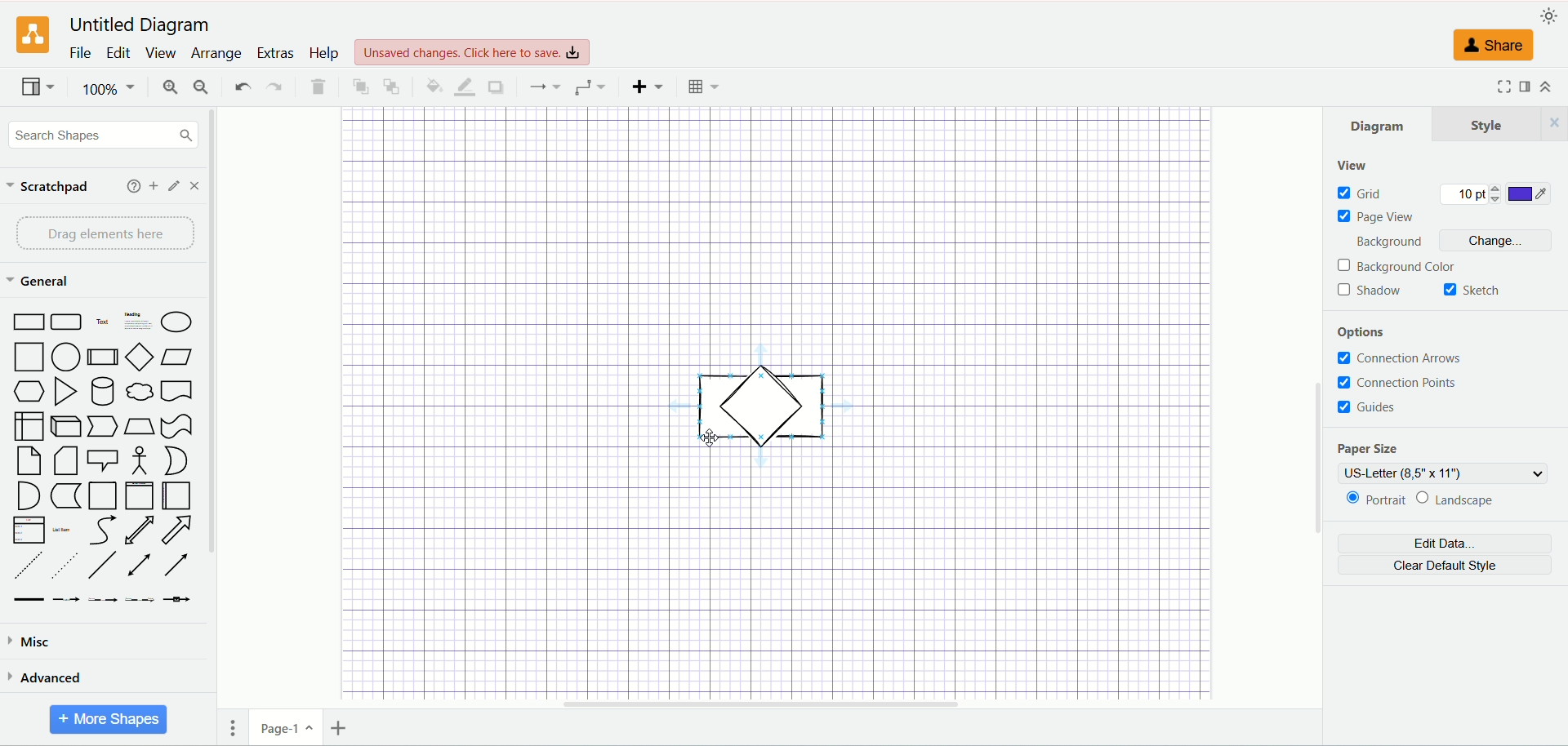 This screenshot has width=1568, height=746. Describe the element at coordinates (109, 87) in the screenshot. I see `100%` at that location.